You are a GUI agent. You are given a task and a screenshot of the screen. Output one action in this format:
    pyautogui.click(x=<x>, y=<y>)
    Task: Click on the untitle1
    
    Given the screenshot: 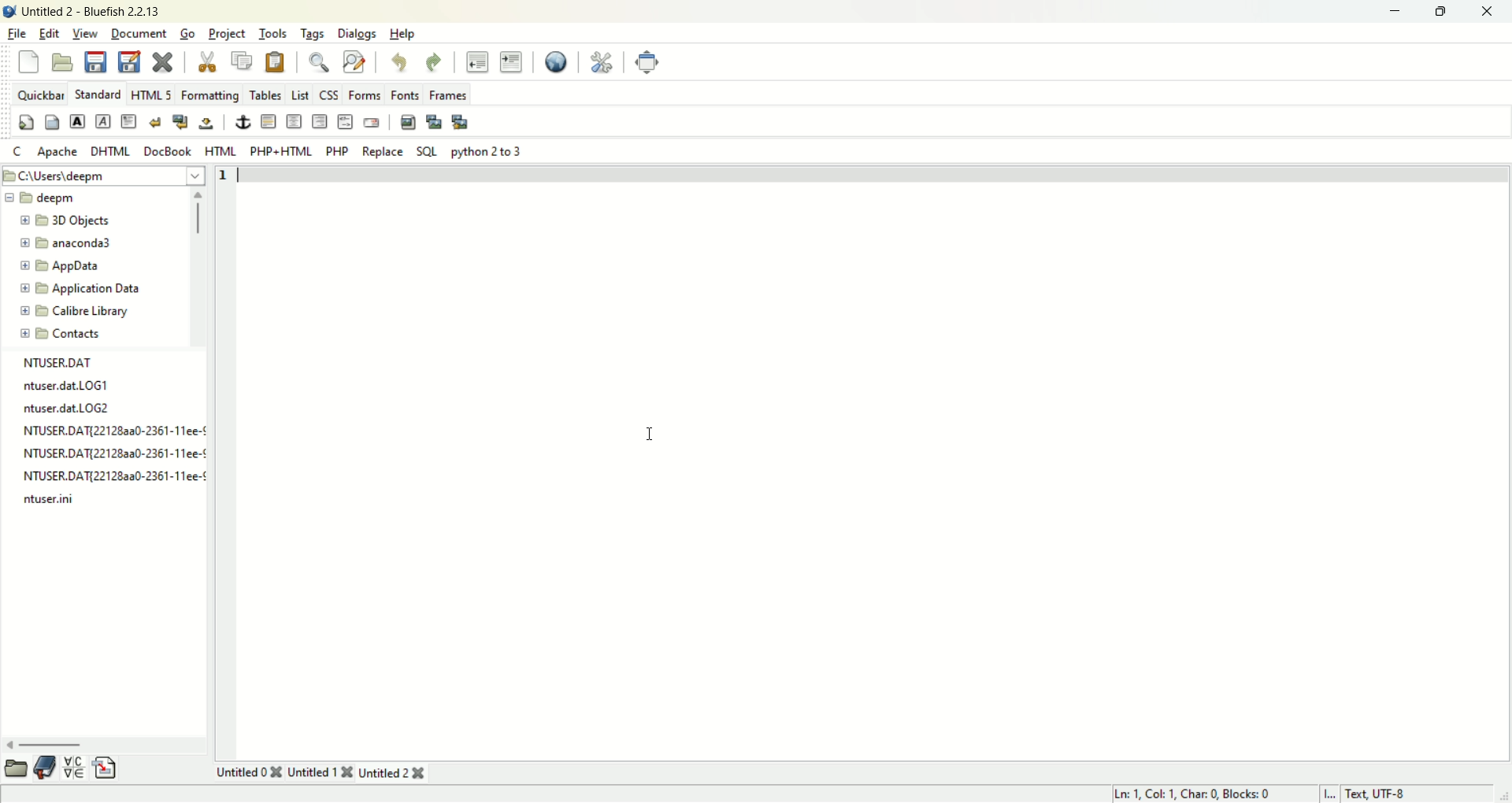 What is the action you would take?
    pyautogui.click(x=319, y=772)
    